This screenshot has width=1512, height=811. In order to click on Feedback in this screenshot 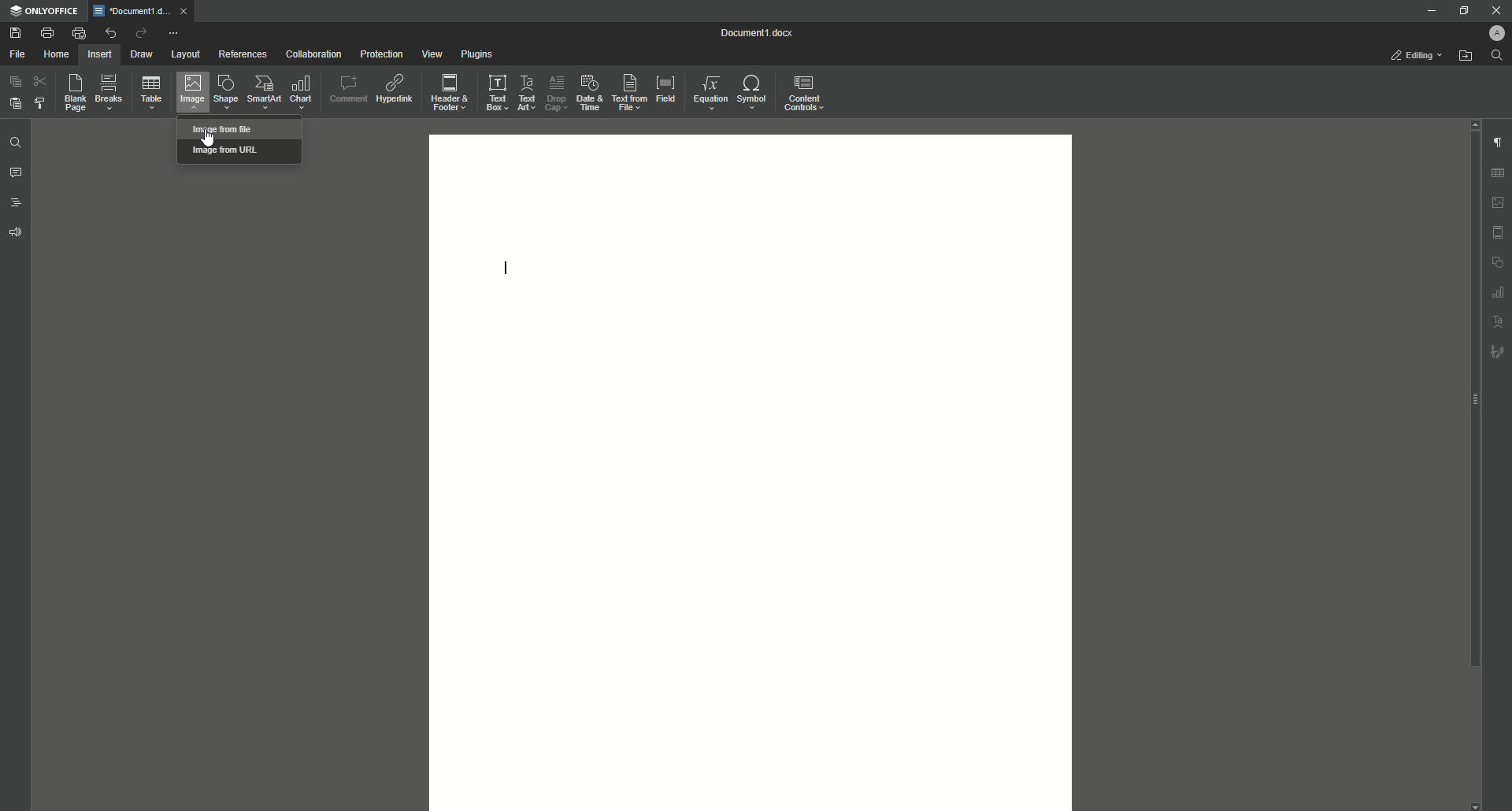, I will do `click(17, 233)`.